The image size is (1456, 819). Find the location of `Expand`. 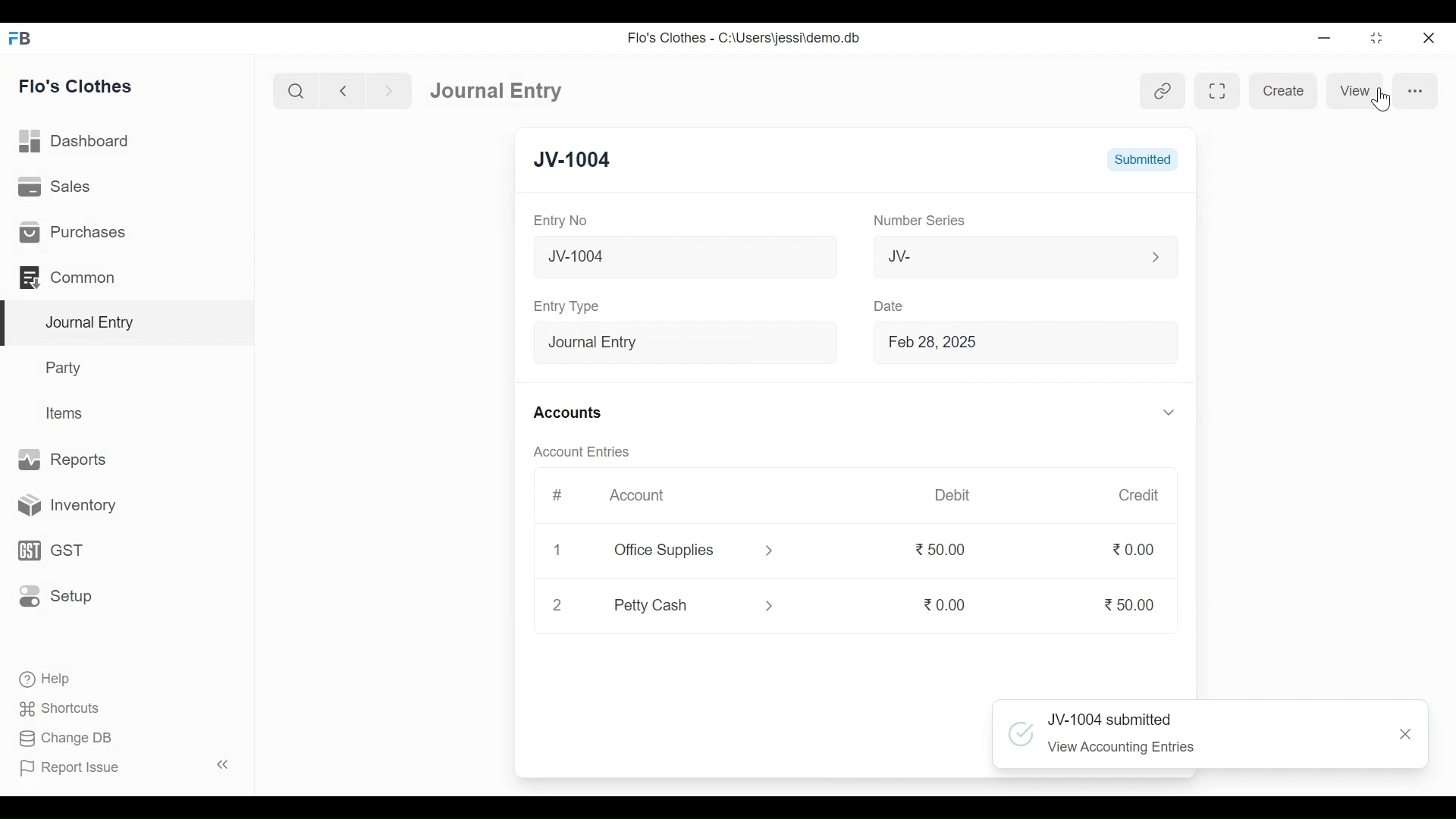

Expand is located at coordinates (767, 605).